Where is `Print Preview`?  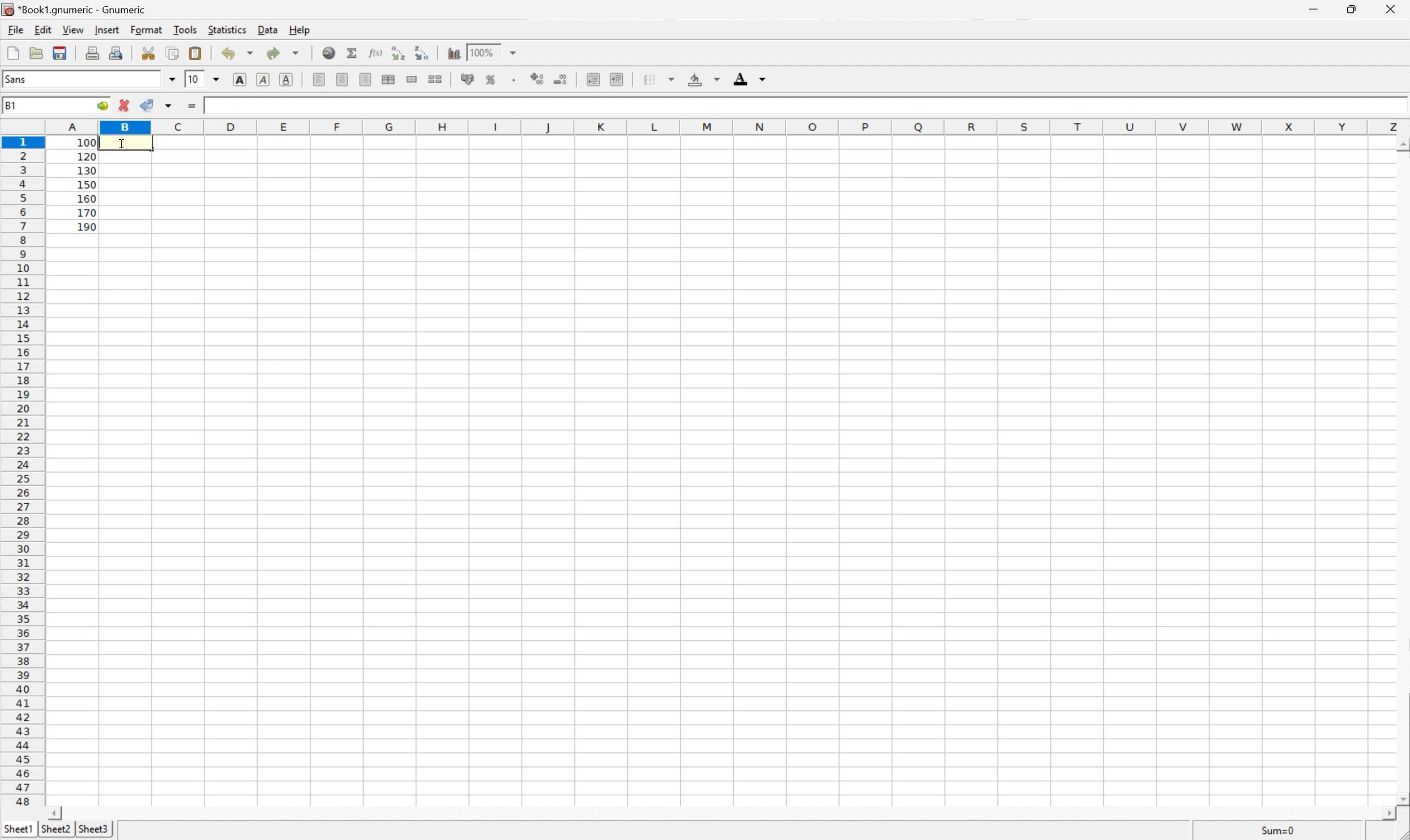
Print Preview is located at coordinates (118, 52).